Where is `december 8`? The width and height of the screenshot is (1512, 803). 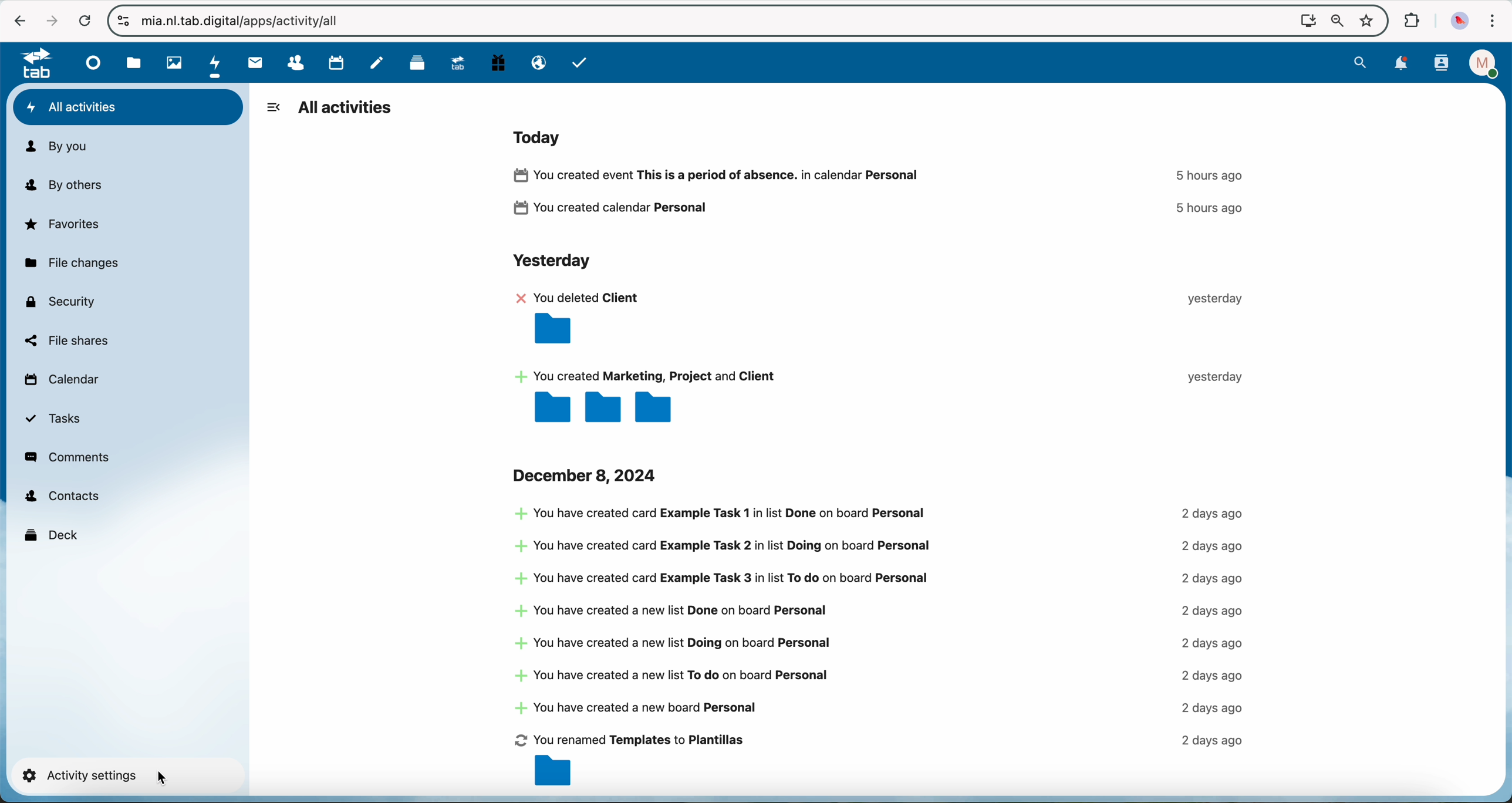
december 8 is located at coordinates (588, 475).